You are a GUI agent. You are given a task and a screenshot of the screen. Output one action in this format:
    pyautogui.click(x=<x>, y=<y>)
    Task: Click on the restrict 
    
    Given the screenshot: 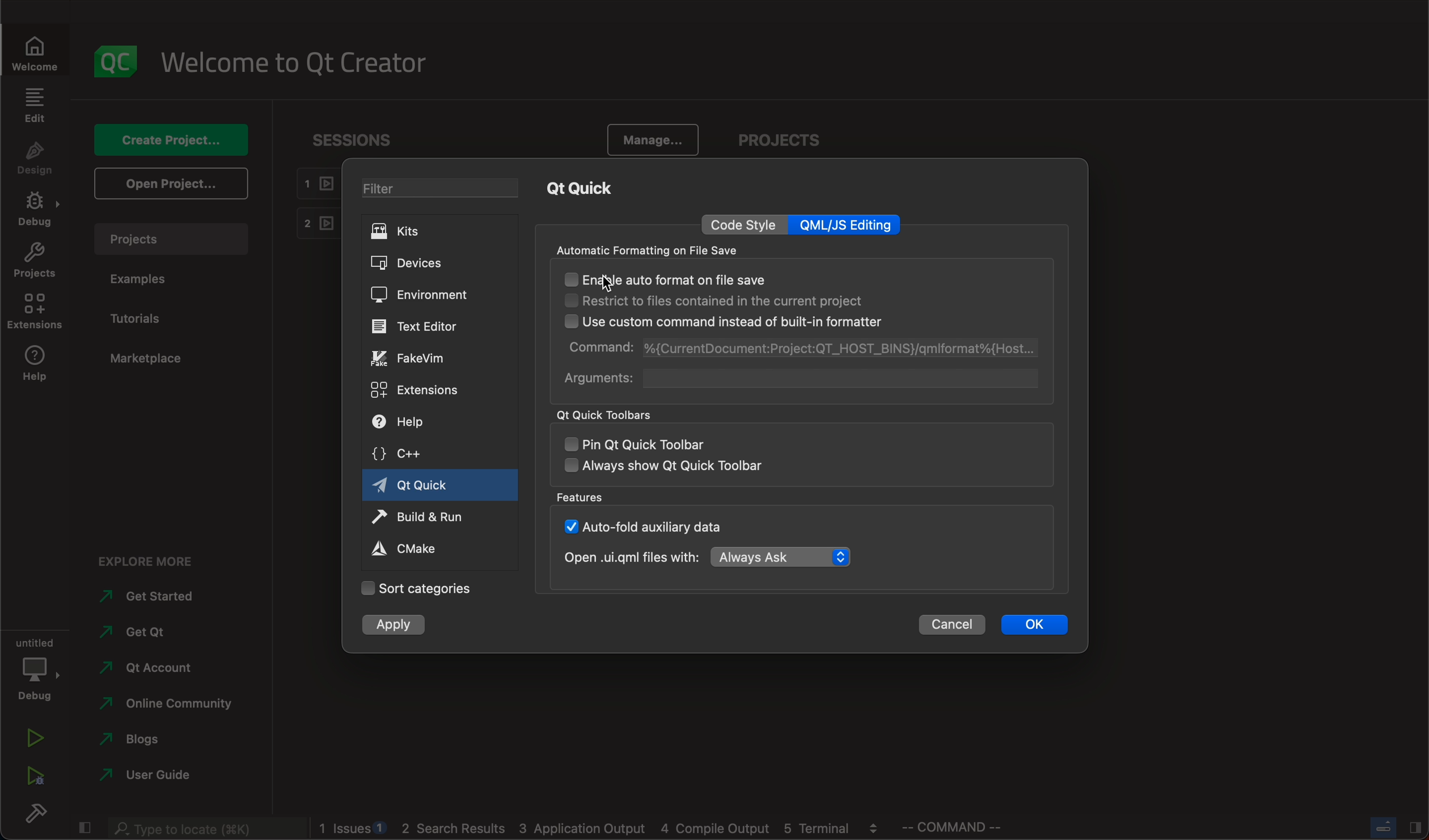 What is the action you would take?
    pyautogui.click(x=712, y=302)
    